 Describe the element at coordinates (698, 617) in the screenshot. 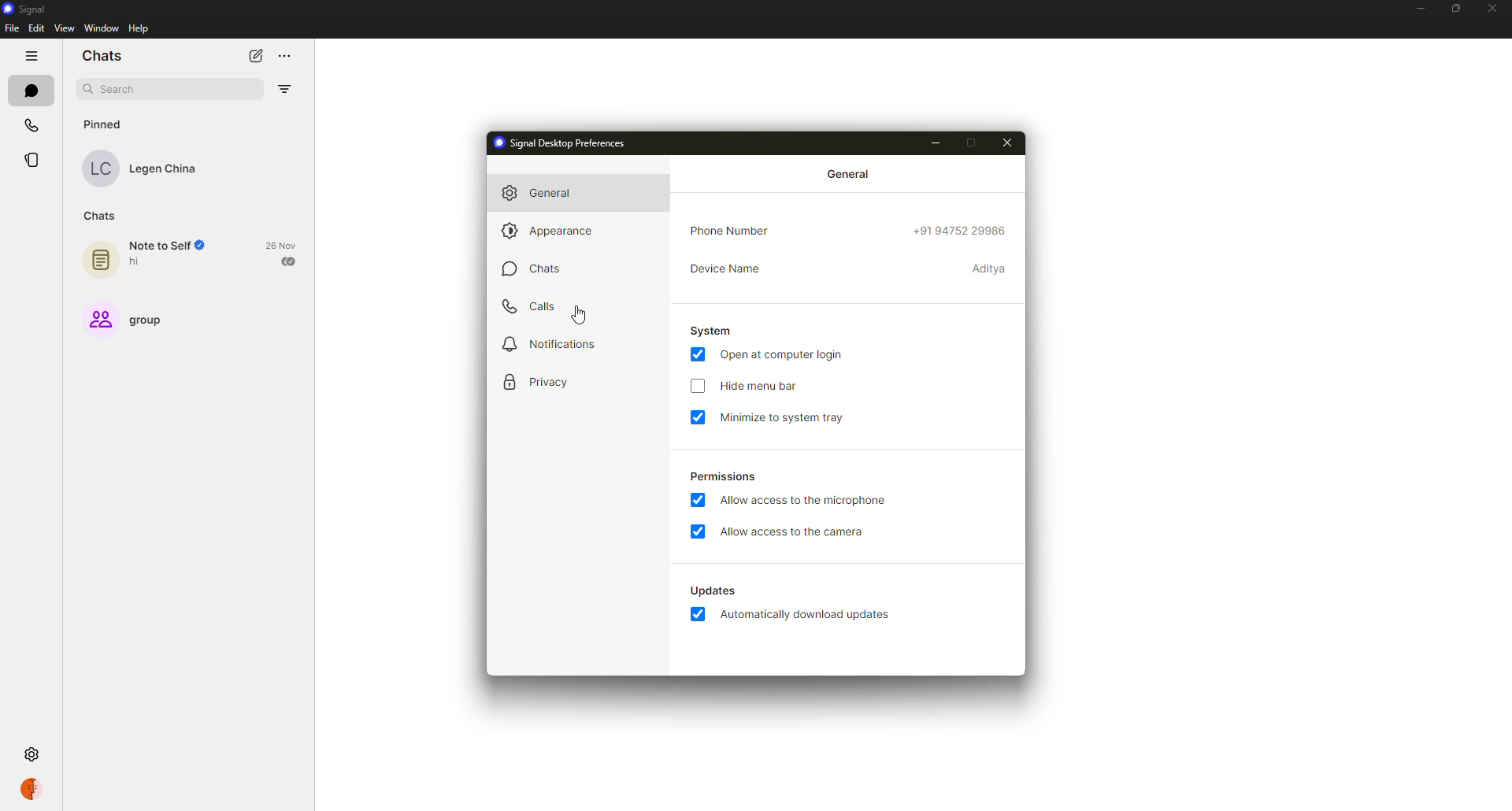

I see `enabled` at that location.